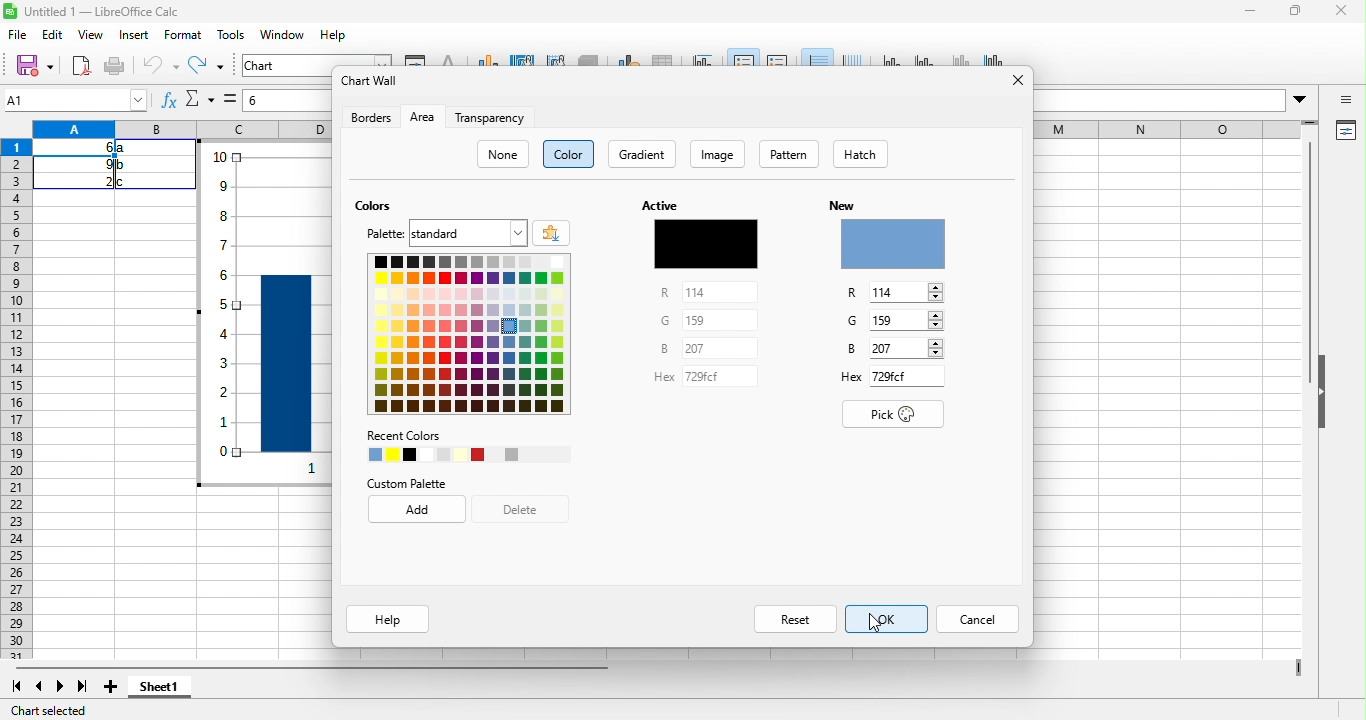 The width and height of the screenshot is (1366, 720). Describe the element at coordinates (155, 65) in the screenshot. I see `undo` at that location.